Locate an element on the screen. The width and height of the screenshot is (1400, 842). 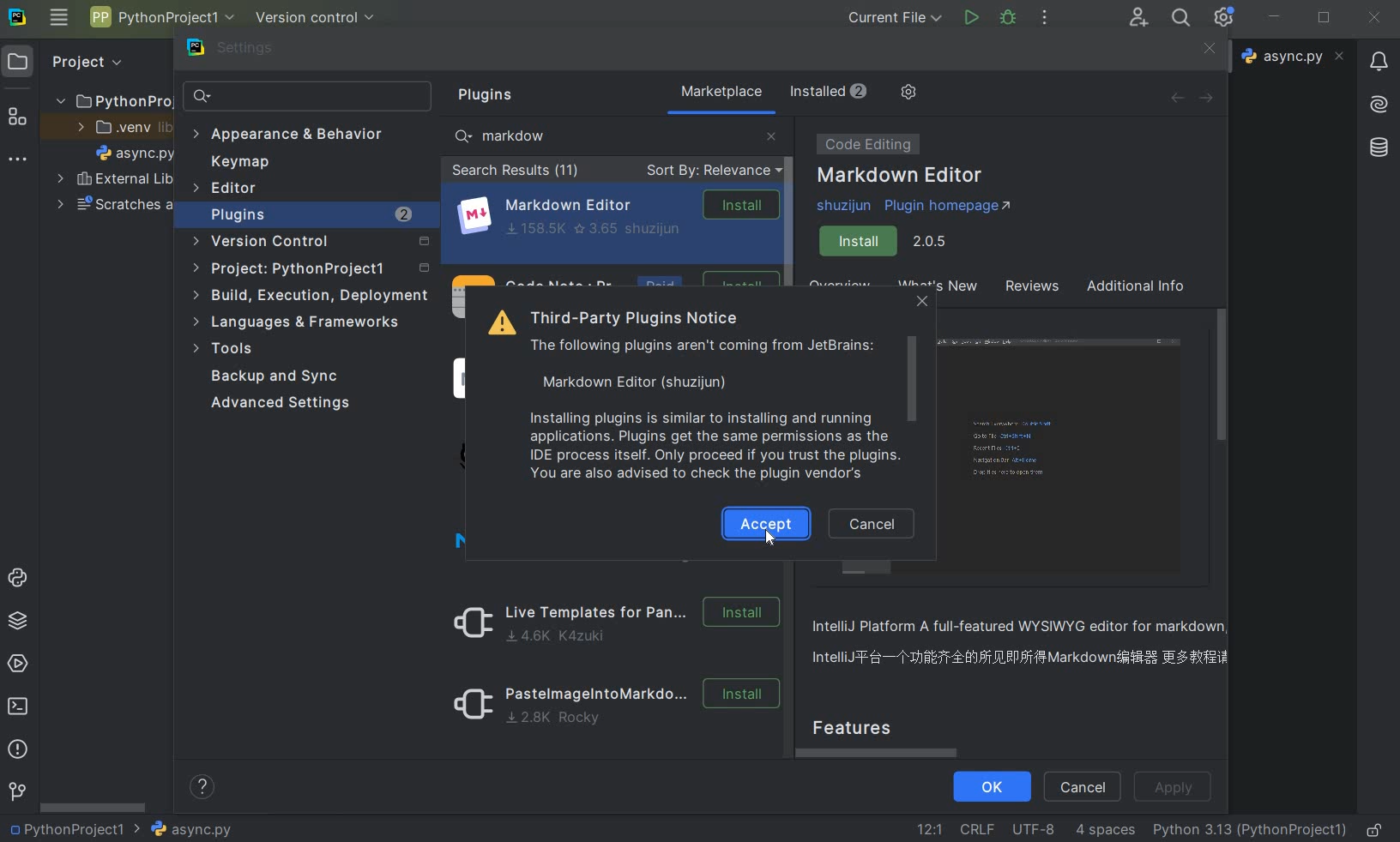
Editor is located at coordinates (226, 189).